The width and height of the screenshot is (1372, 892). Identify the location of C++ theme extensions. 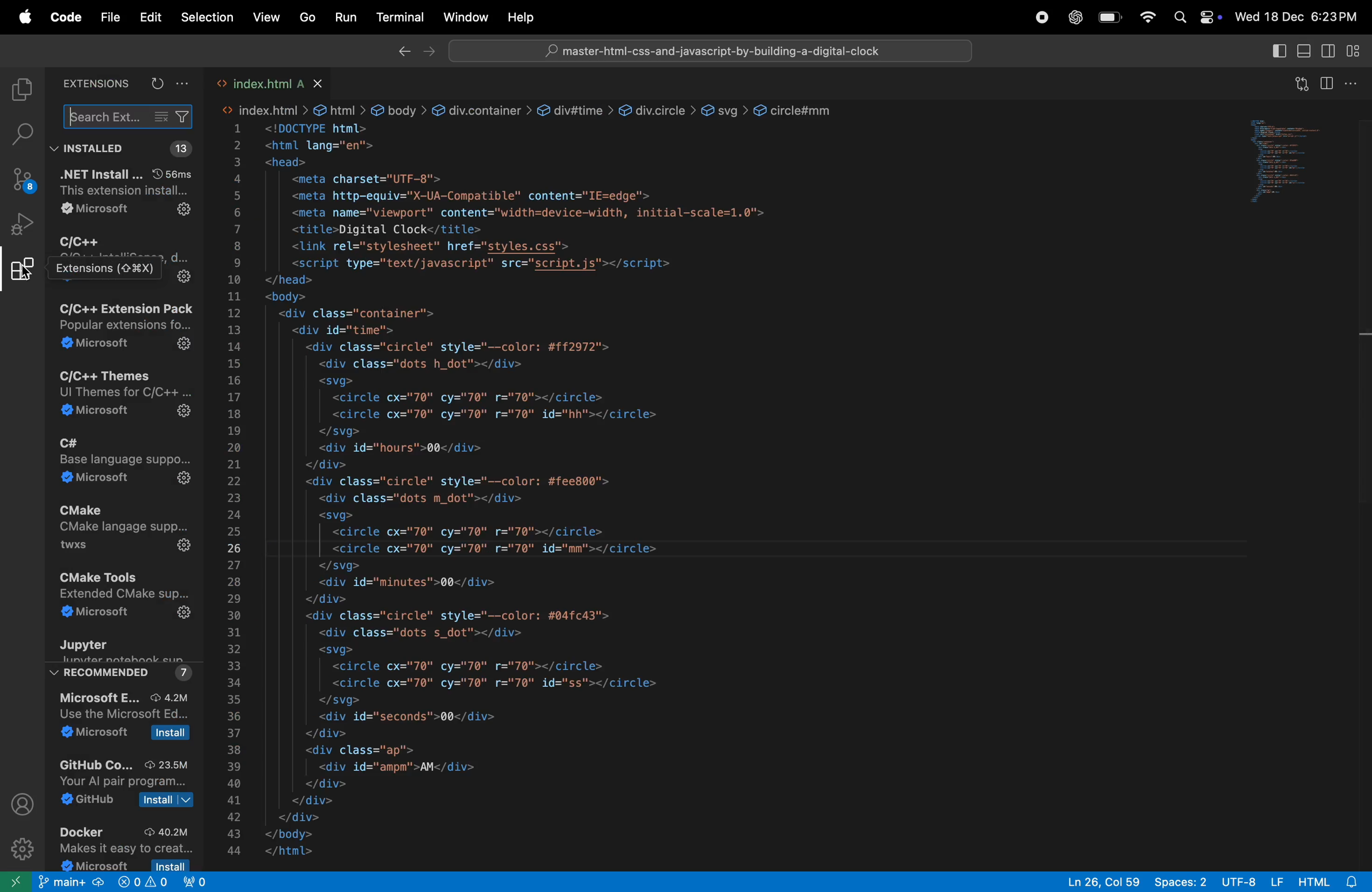
(122, 396).